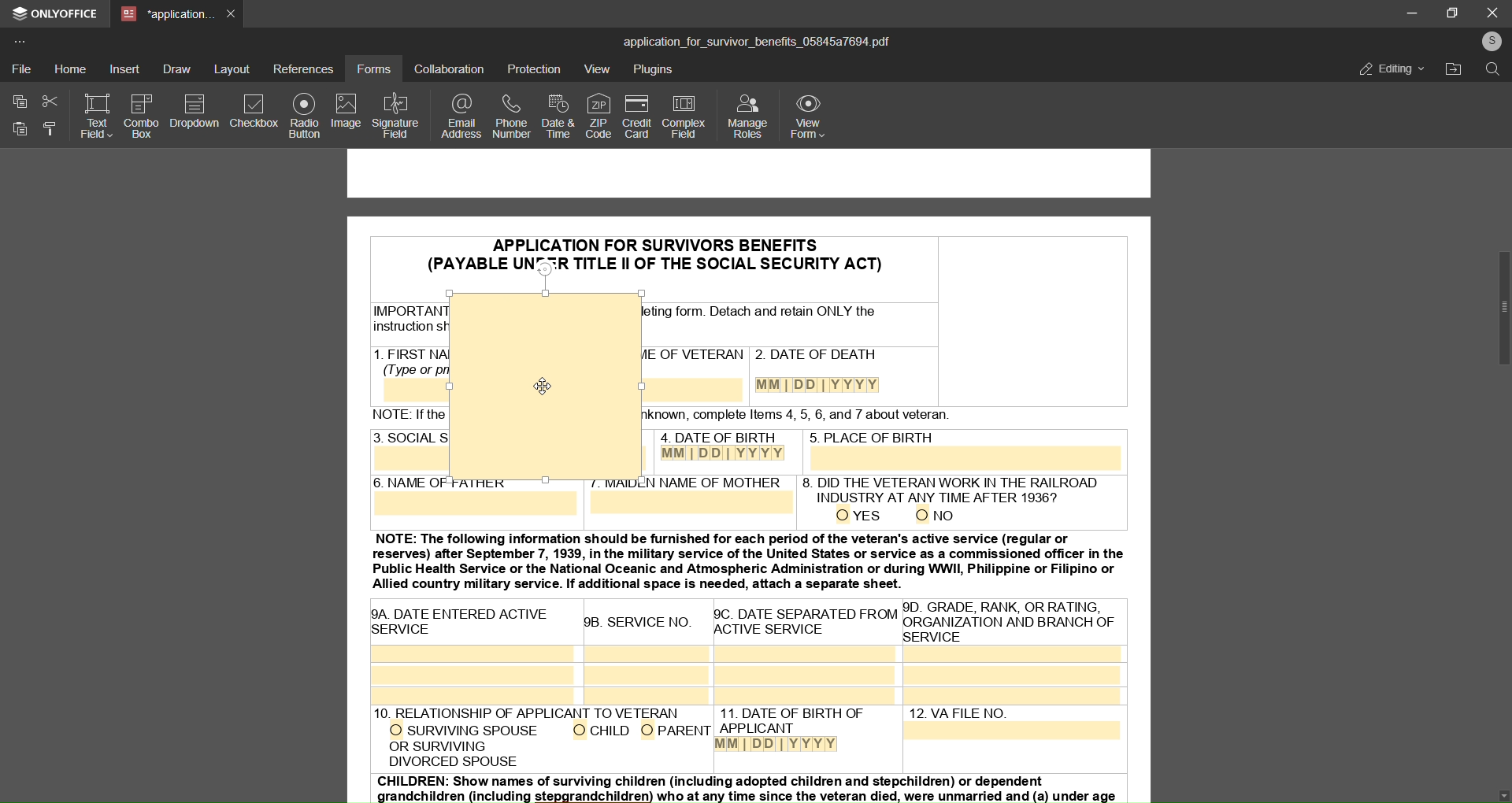  Describe the element at coordinates (543, 384) in the screenshot. I see `insert image space` at that location.